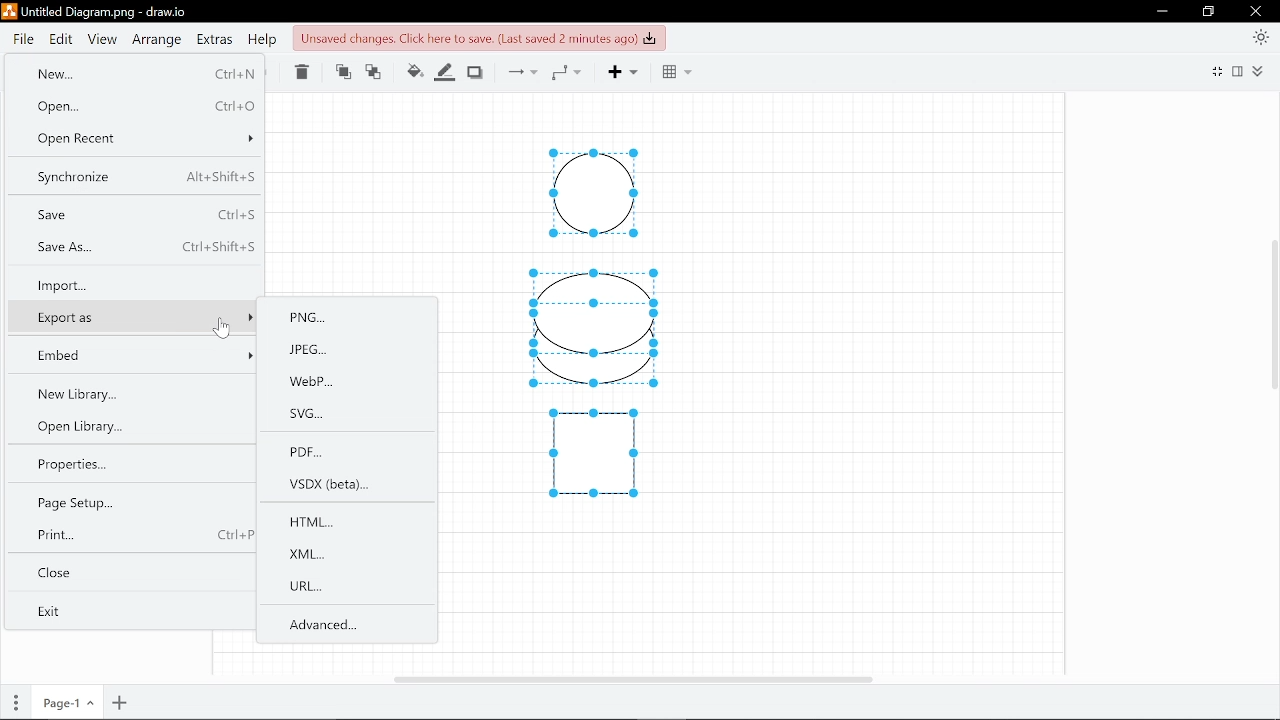  I want to click on Appearence, so click(1261, 37).